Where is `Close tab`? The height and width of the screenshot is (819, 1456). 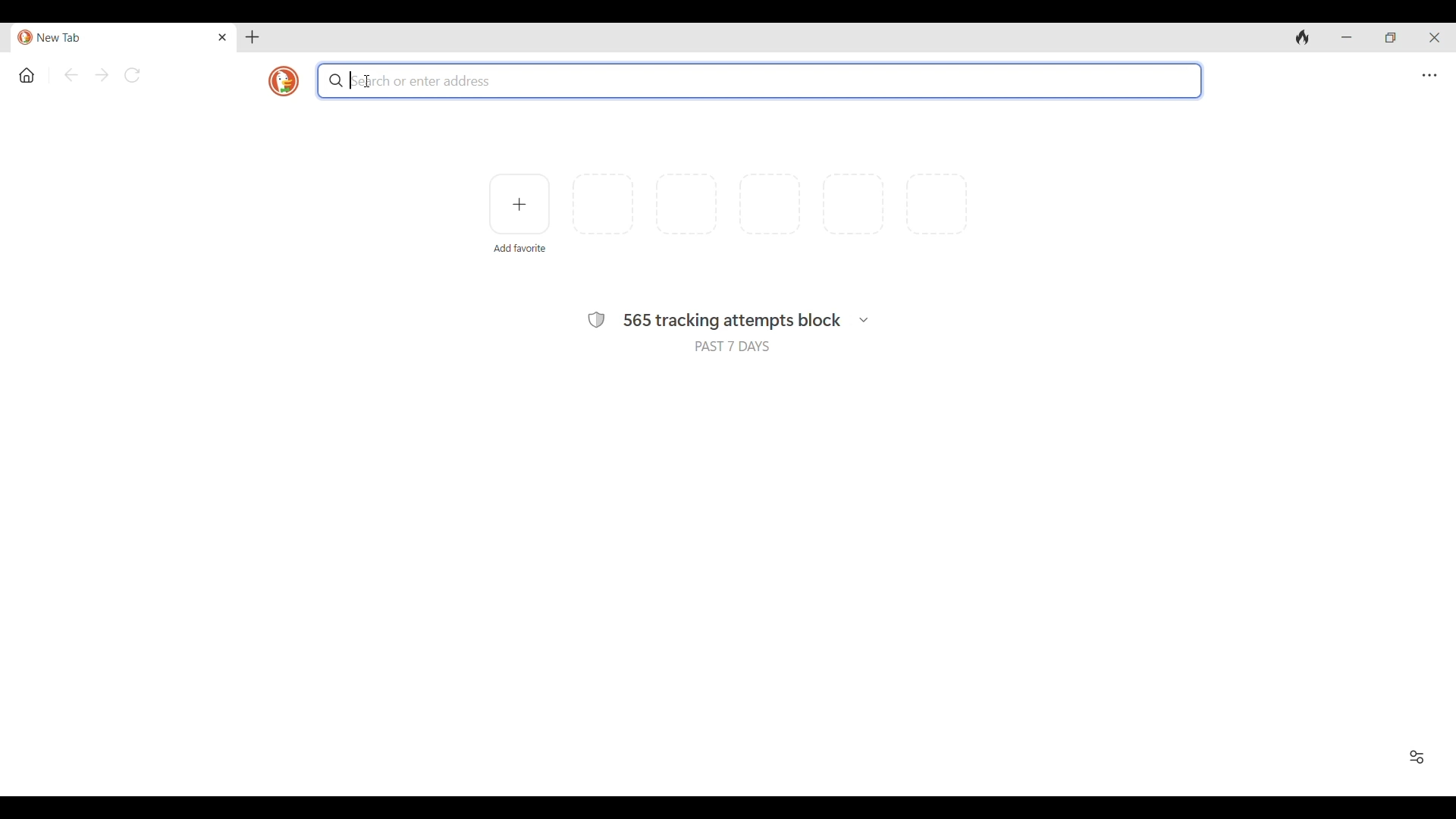 Close tab is located at coordinates (224, 37).